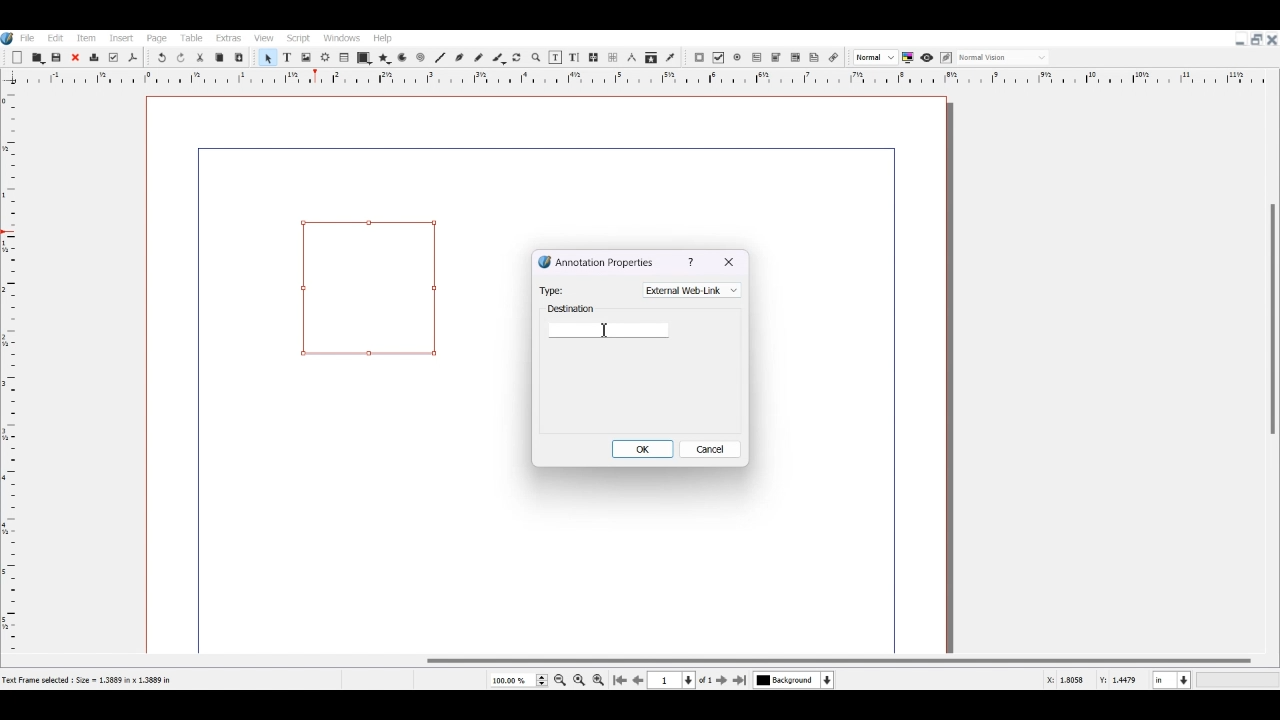 This screenshot has width=1280, height=720. I want to click on Text Annotation , so click(815, 57).